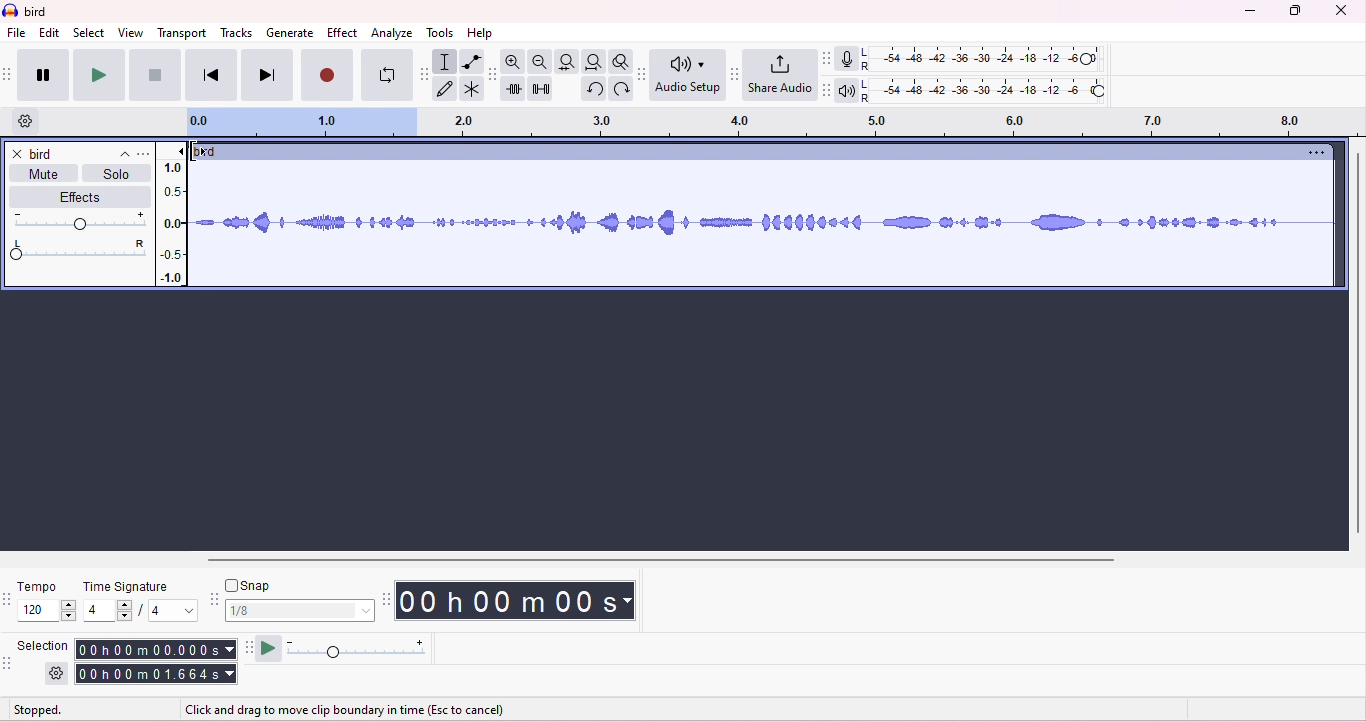 This screenshot has width=1366, height=722. I want to click on play at speed/ play at speed once, so click(268, 648).